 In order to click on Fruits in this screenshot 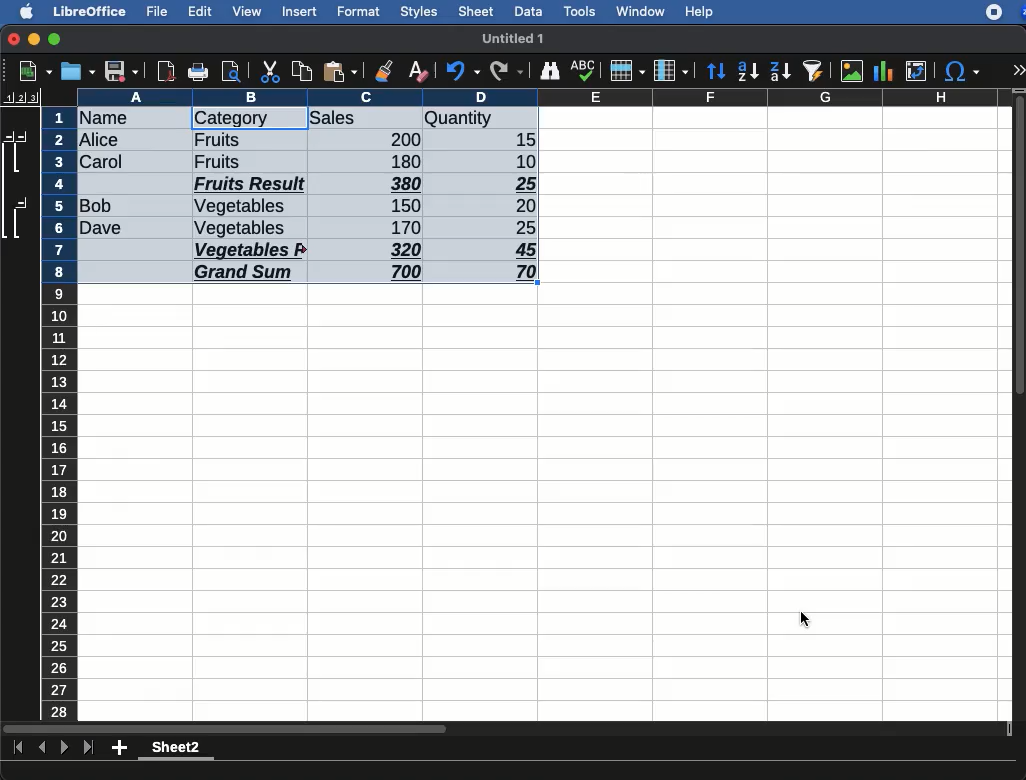, I will do `click(215, 161)`.